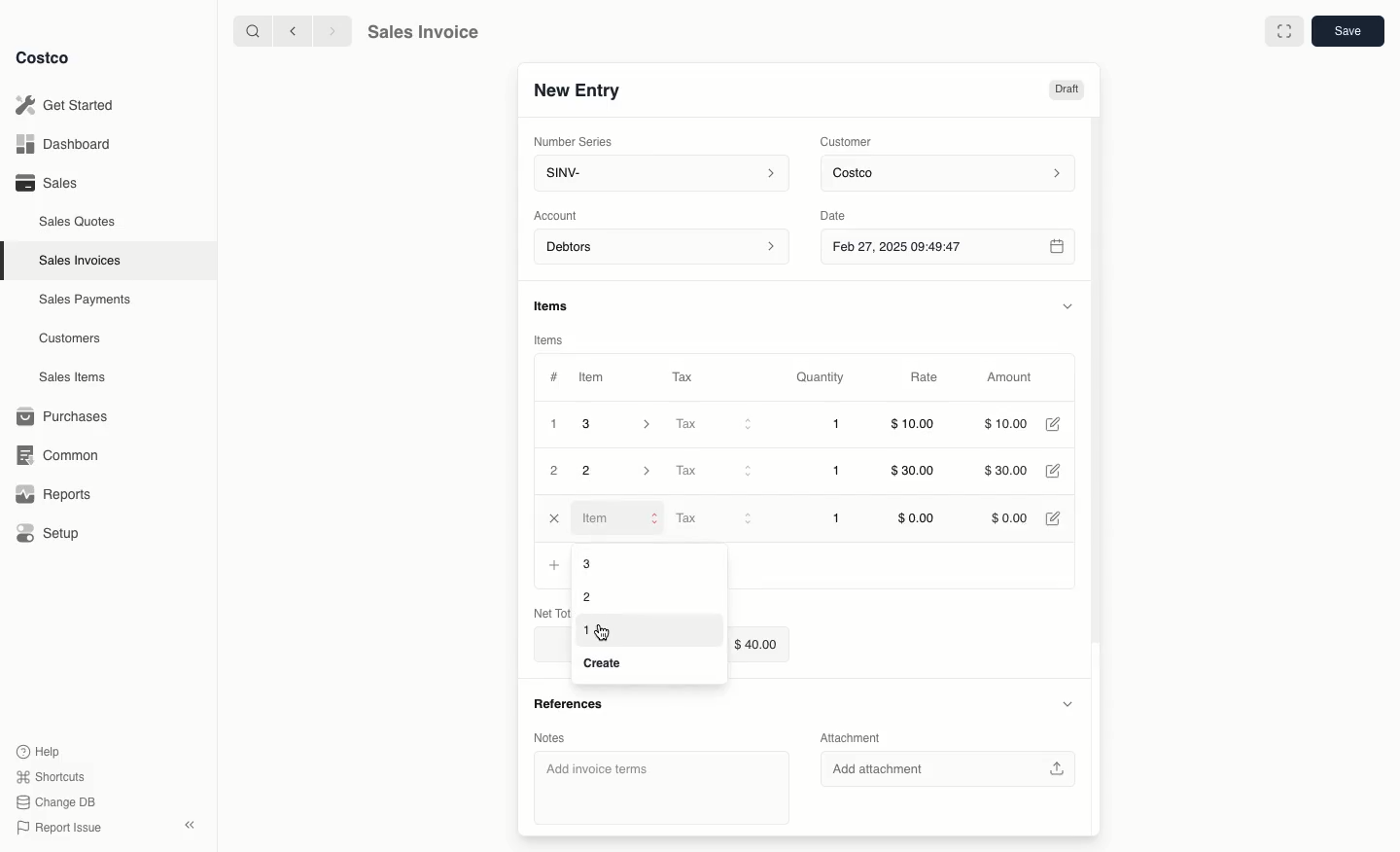 The width and height of the screenshot is (1400, 852). I want to click on Sales Quotes, so click(79, 221).